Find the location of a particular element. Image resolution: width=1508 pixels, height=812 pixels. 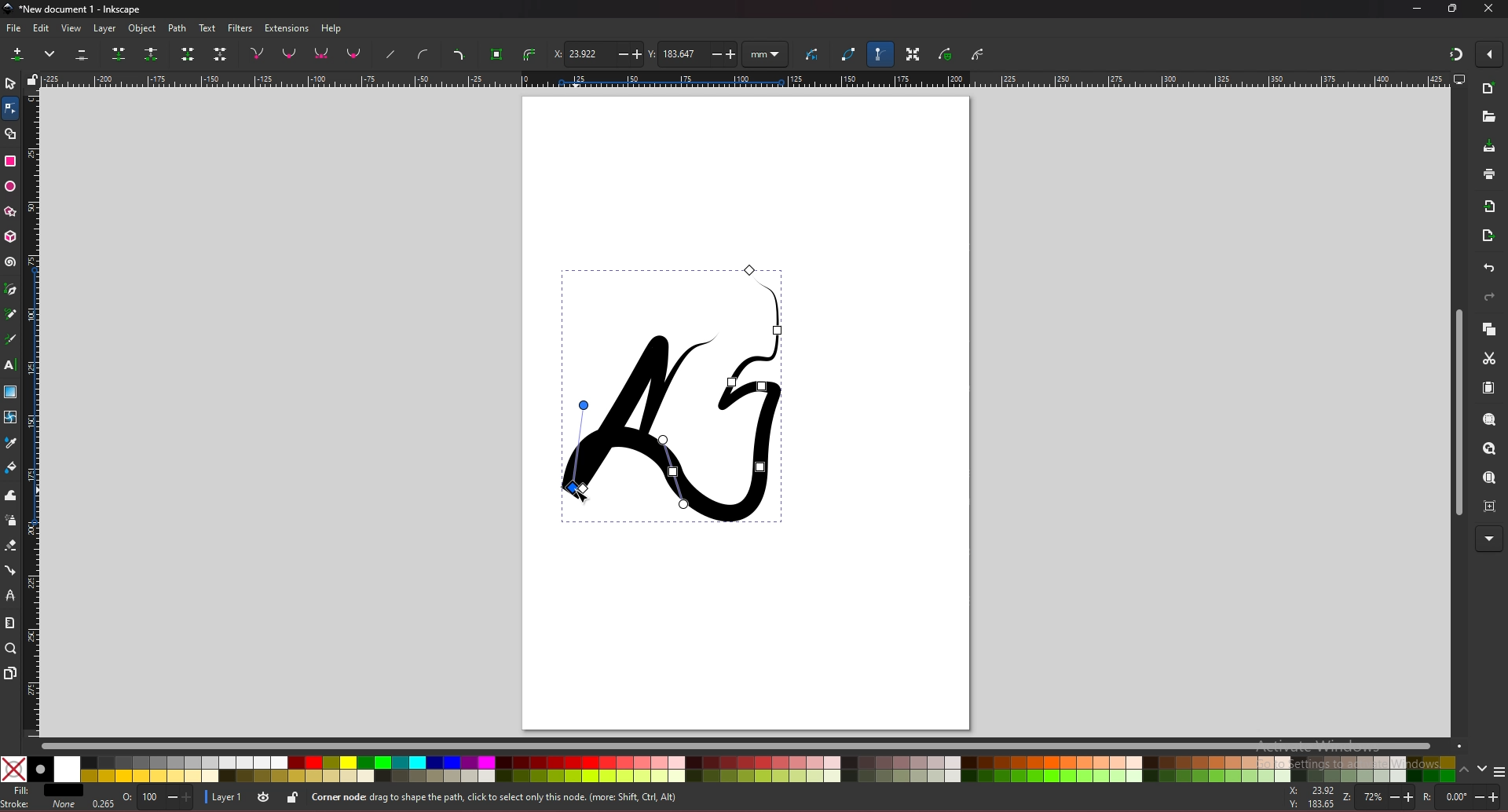

layer is located at coordinates (108, 29).